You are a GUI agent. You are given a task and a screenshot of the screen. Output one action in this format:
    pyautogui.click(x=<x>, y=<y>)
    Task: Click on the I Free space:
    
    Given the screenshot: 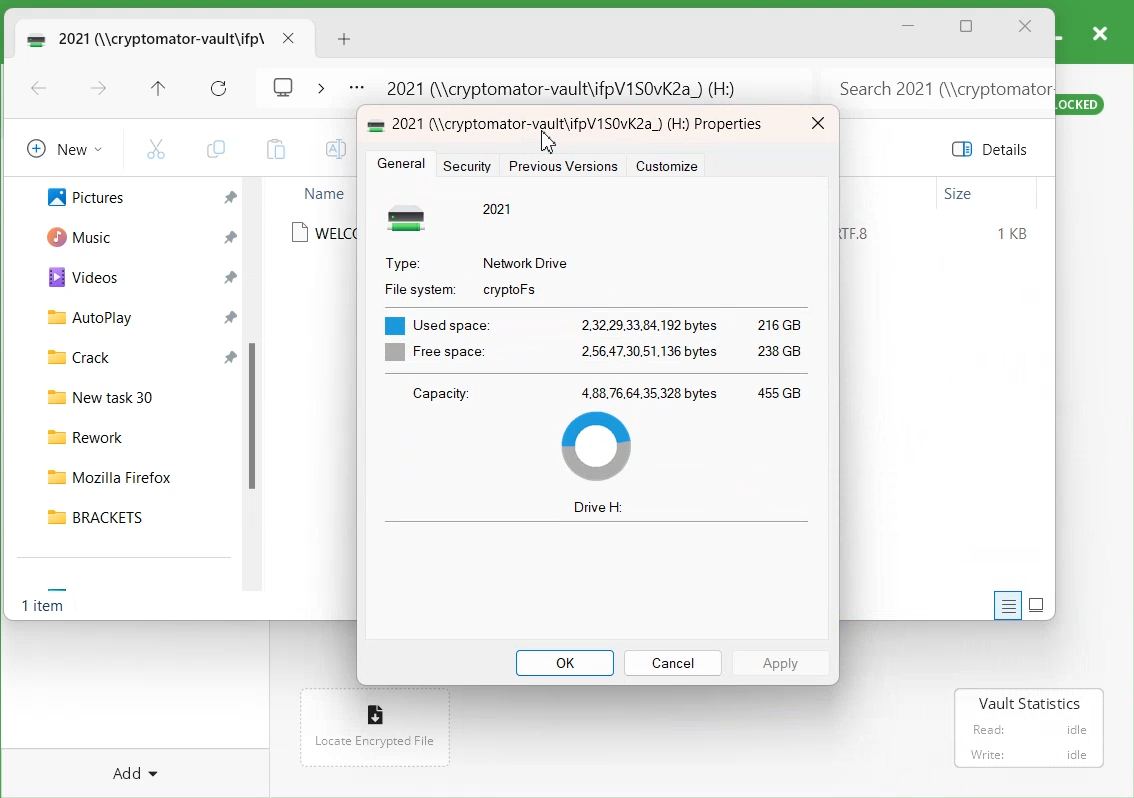 What is the action you would take?
    pyautogui.click(x=431, y=353)
    